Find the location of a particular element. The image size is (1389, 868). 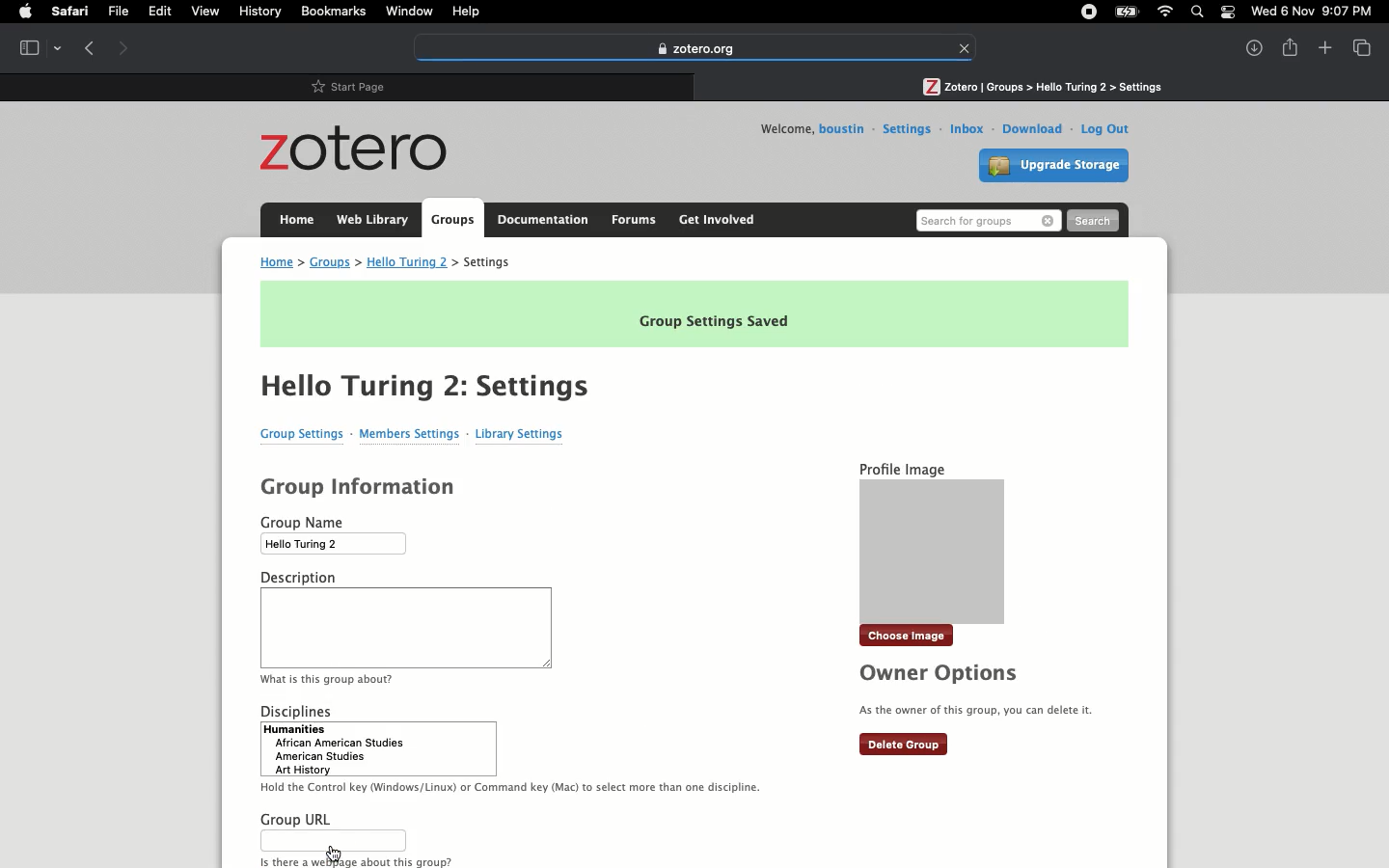

Tab view is located at coordinates (39, 46).